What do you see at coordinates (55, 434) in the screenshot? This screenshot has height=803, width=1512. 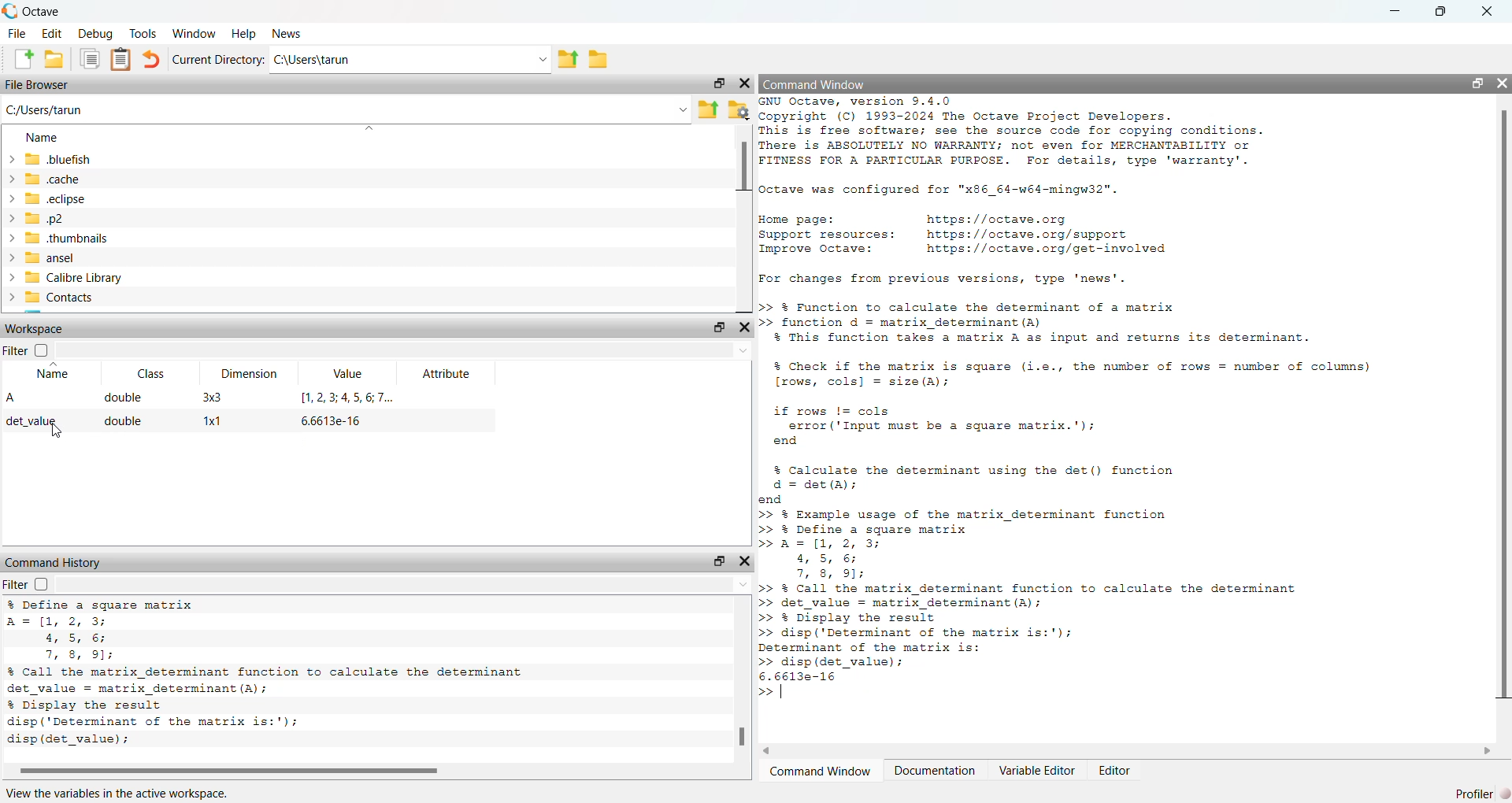 I see `cursor` at bounding box center [55, 434].